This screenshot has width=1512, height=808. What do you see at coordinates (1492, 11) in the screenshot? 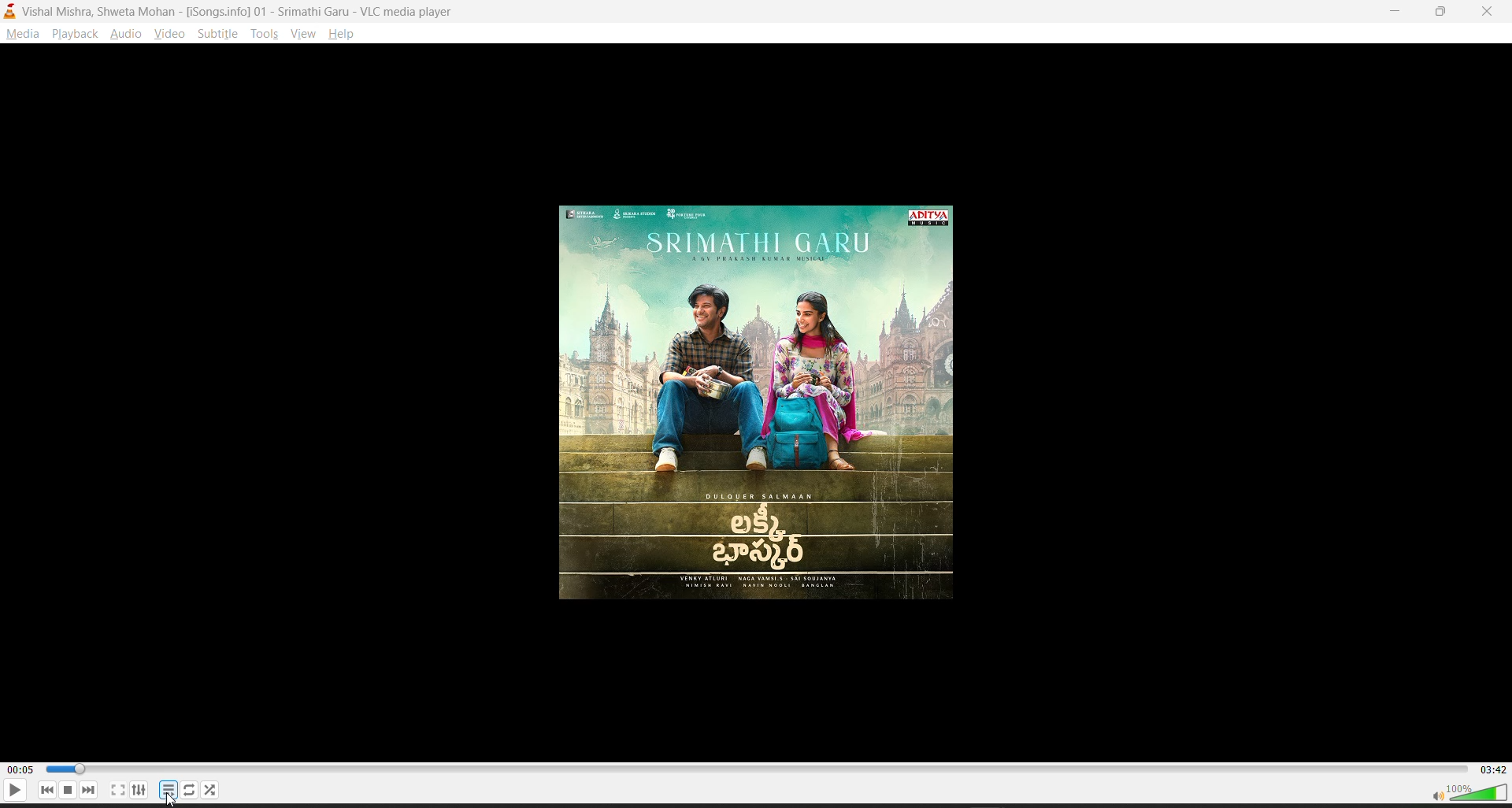
I see `close` at bounding box center [1492, 11].